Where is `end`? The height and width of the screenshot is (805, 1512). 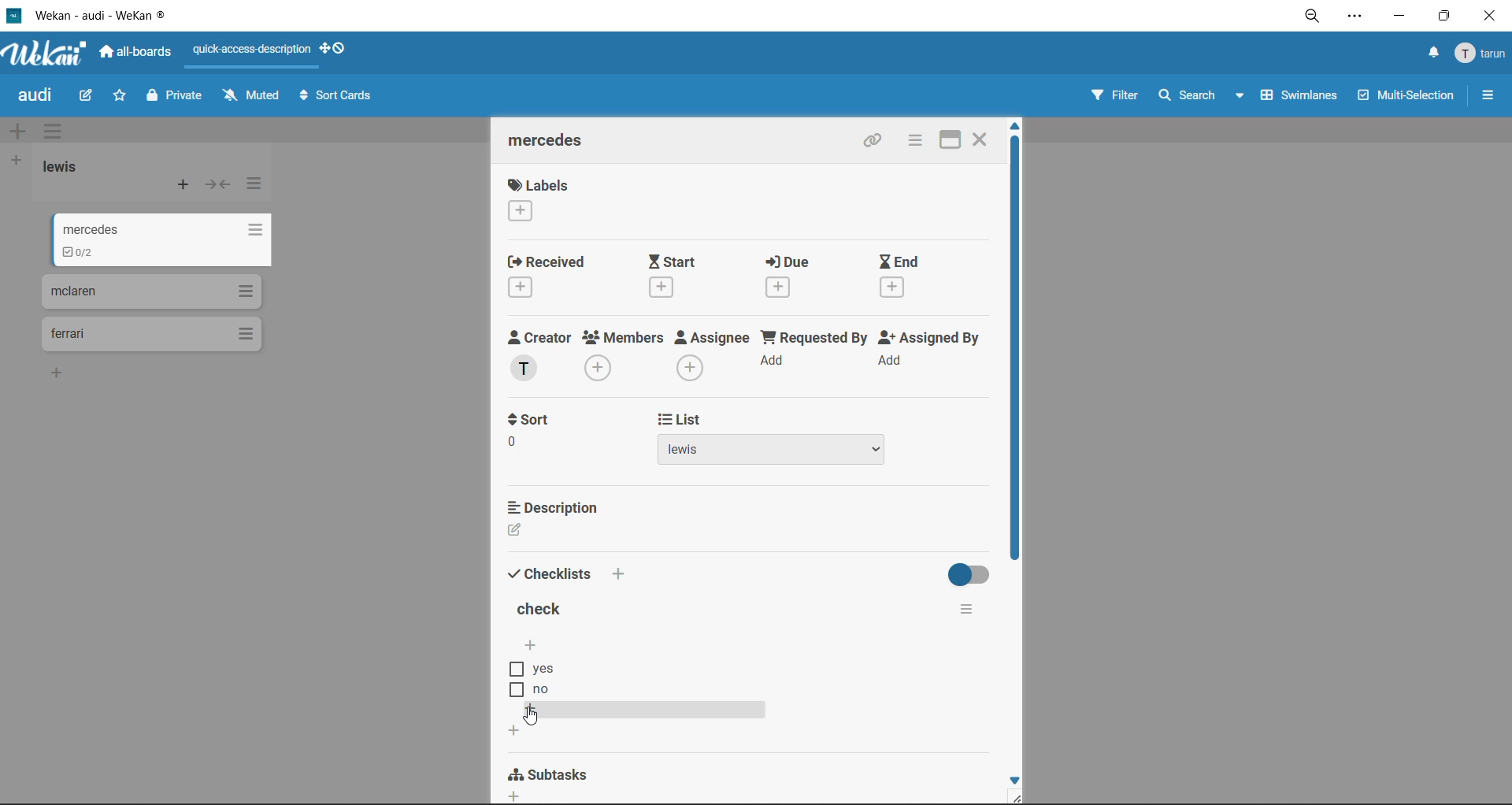 end is located at coordinates (906, 261).